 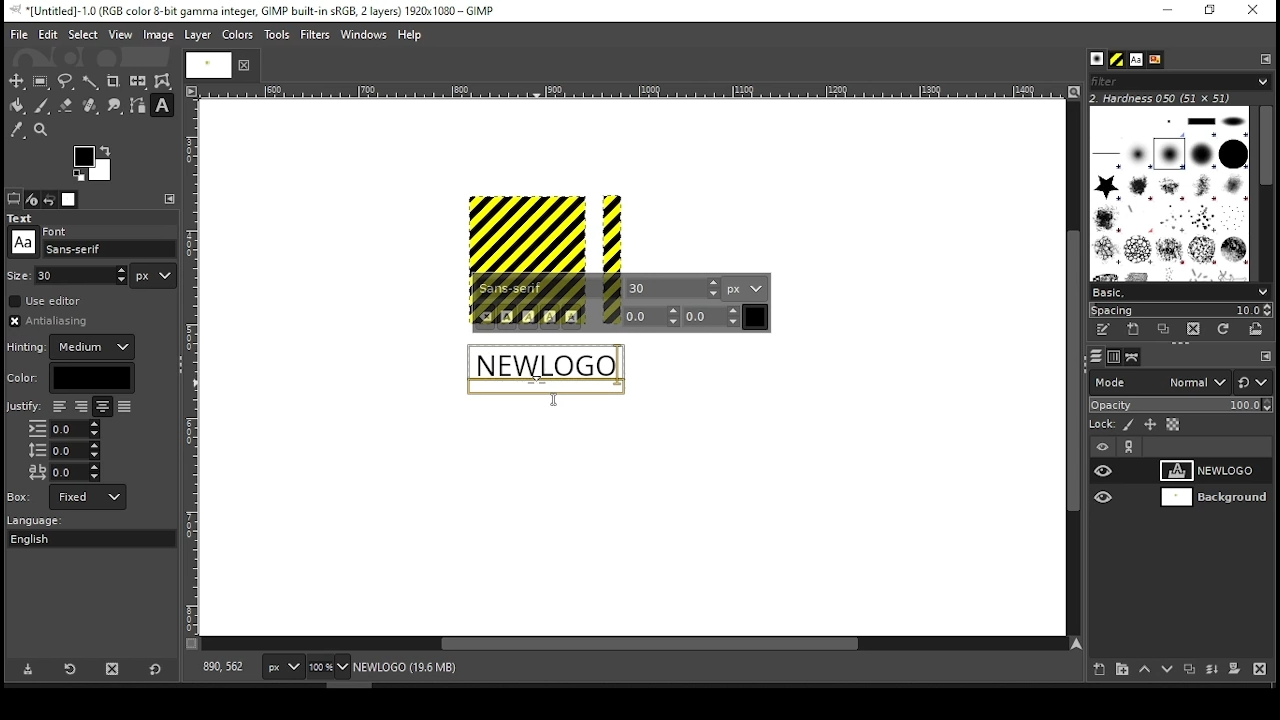 What do you see at coordinates (14, 198) in the screenshot?
I see `tool options` at bounding box center [14, 198].